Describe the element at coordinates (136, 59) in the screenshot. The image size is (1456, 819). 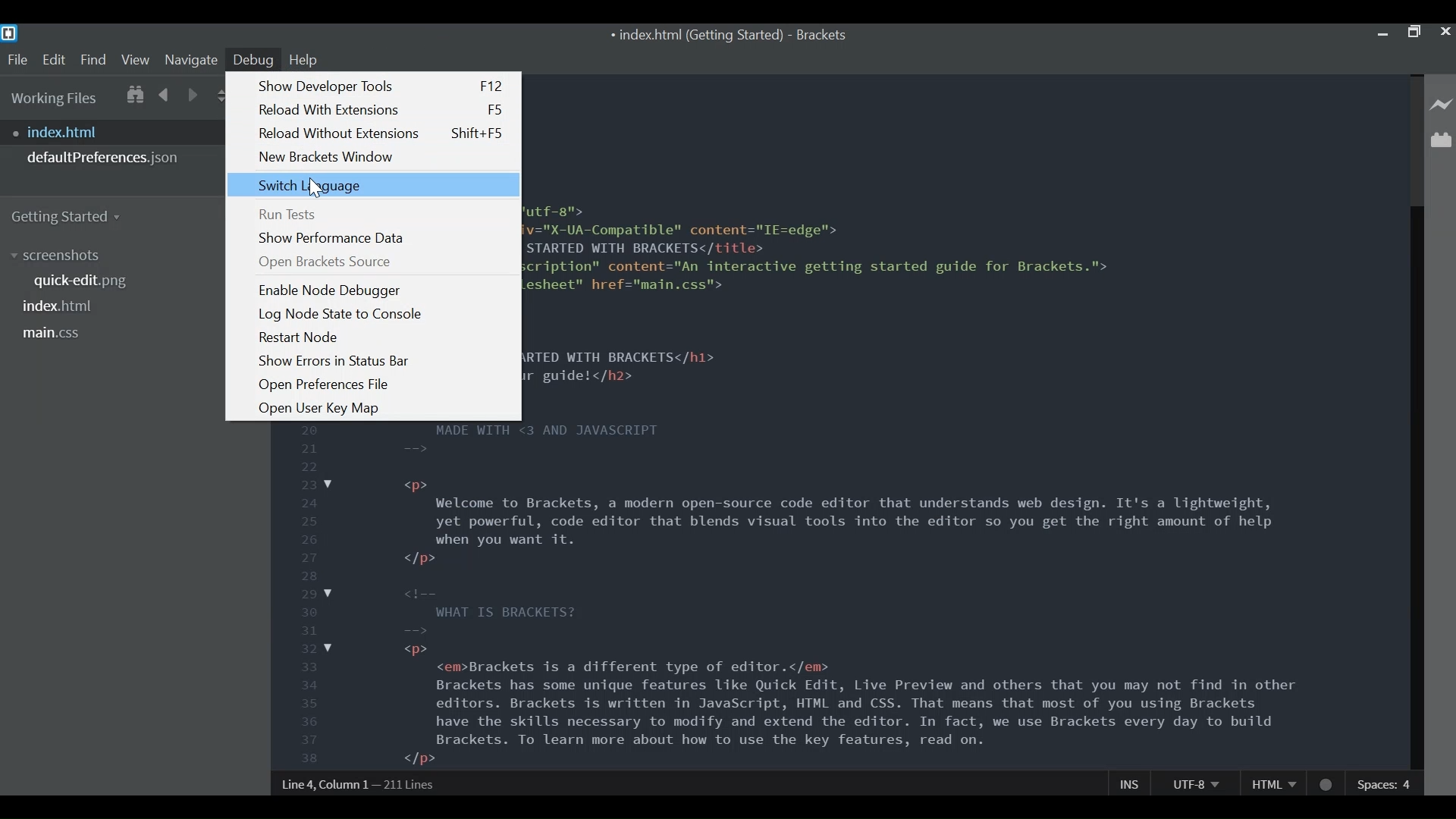
I see `View` at that location.